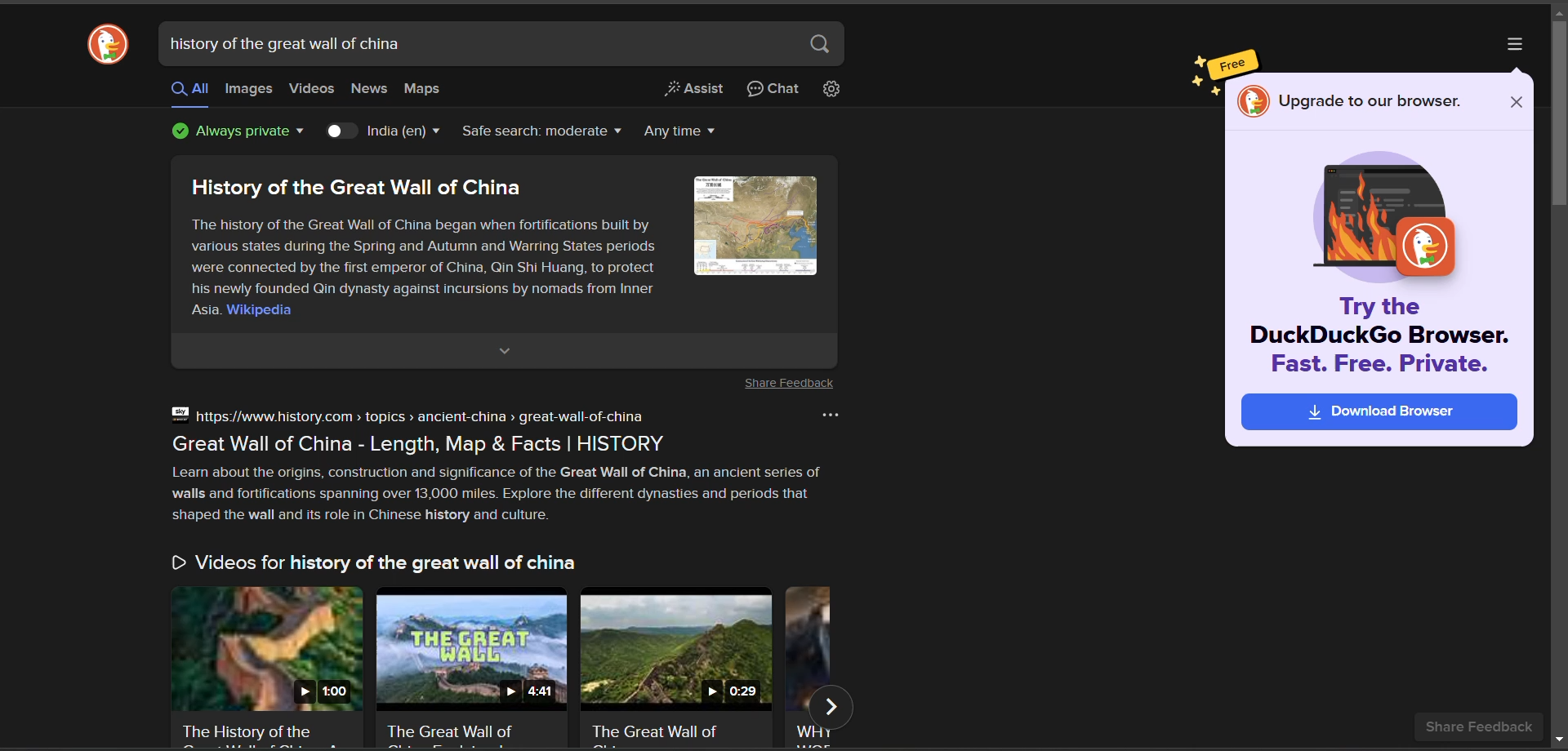 The image size is (1568, 751). Describe the element at coordinates (833, 91) in the screenshot. I see `change search settings` at that location.